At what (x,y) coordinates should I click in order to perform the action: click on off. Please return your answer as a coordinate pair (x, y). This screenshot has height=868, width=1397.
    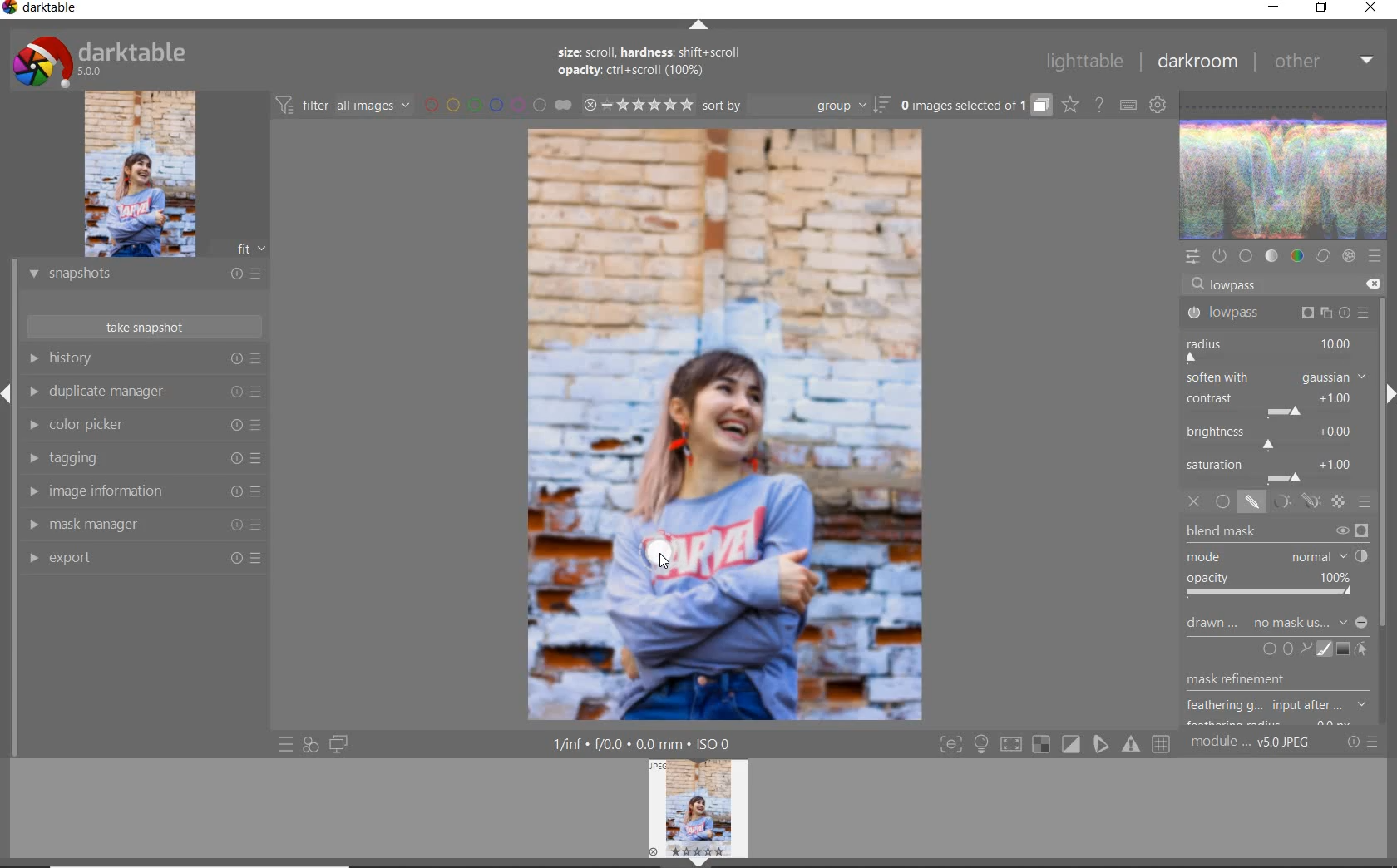
    Looking at the image, I should click on (1197, 503).